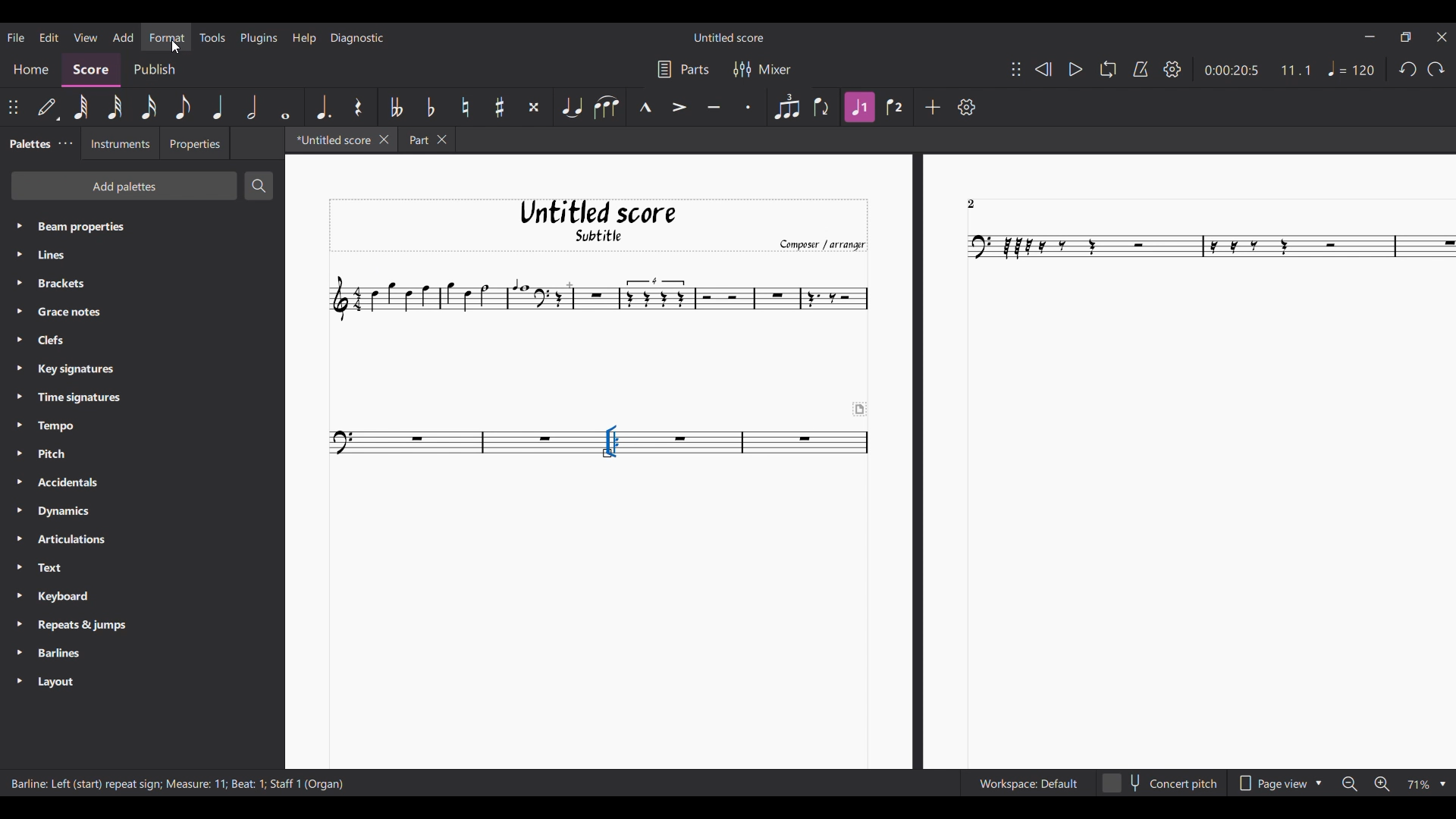 This screenshot has width=1456, height=819. What do you see at coordinates (27, 144) in the screenshot?
I see `Palette tab, current selection` at bounding box center [27, 144].